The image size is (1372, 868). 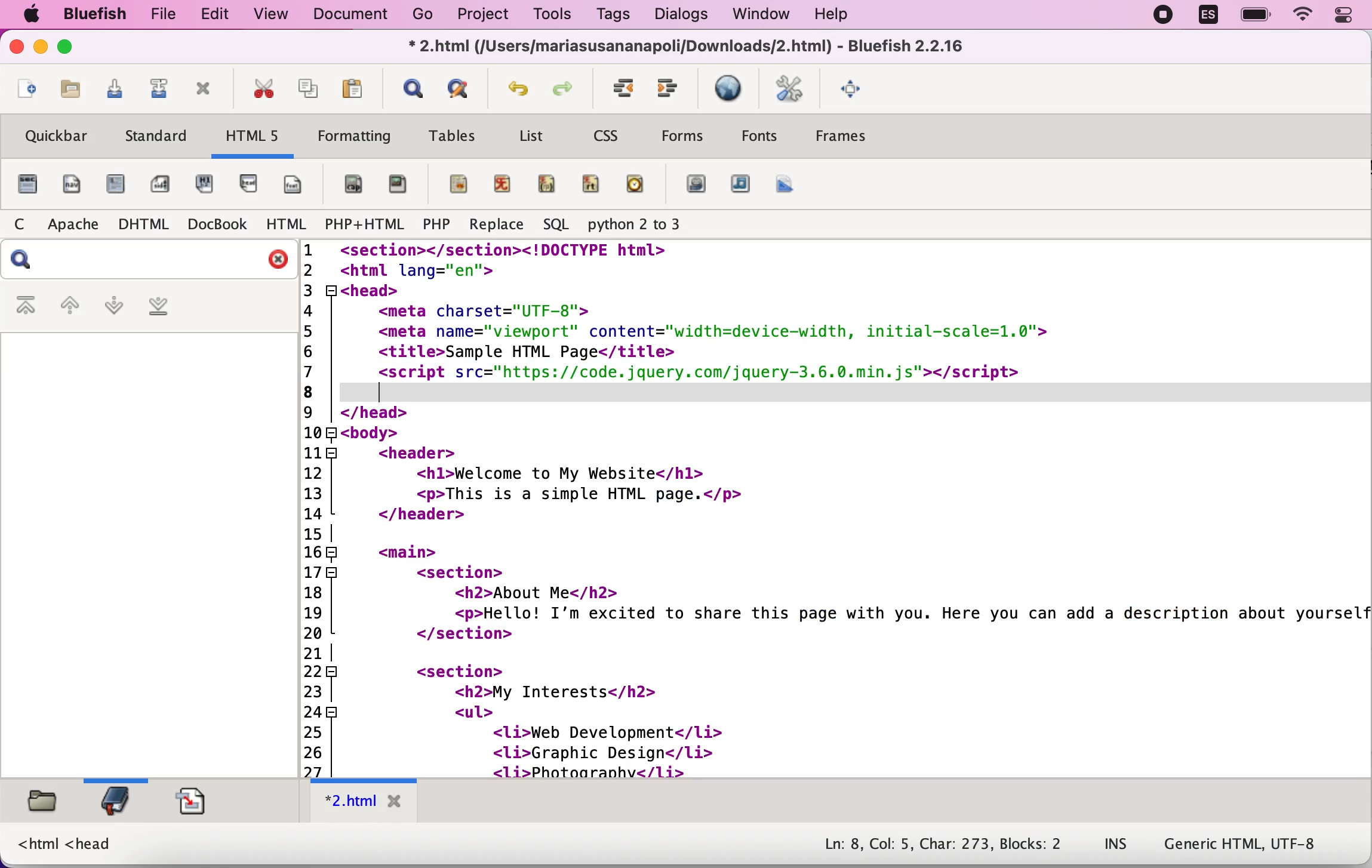 I want to click on search, so click(x=147, y=260).